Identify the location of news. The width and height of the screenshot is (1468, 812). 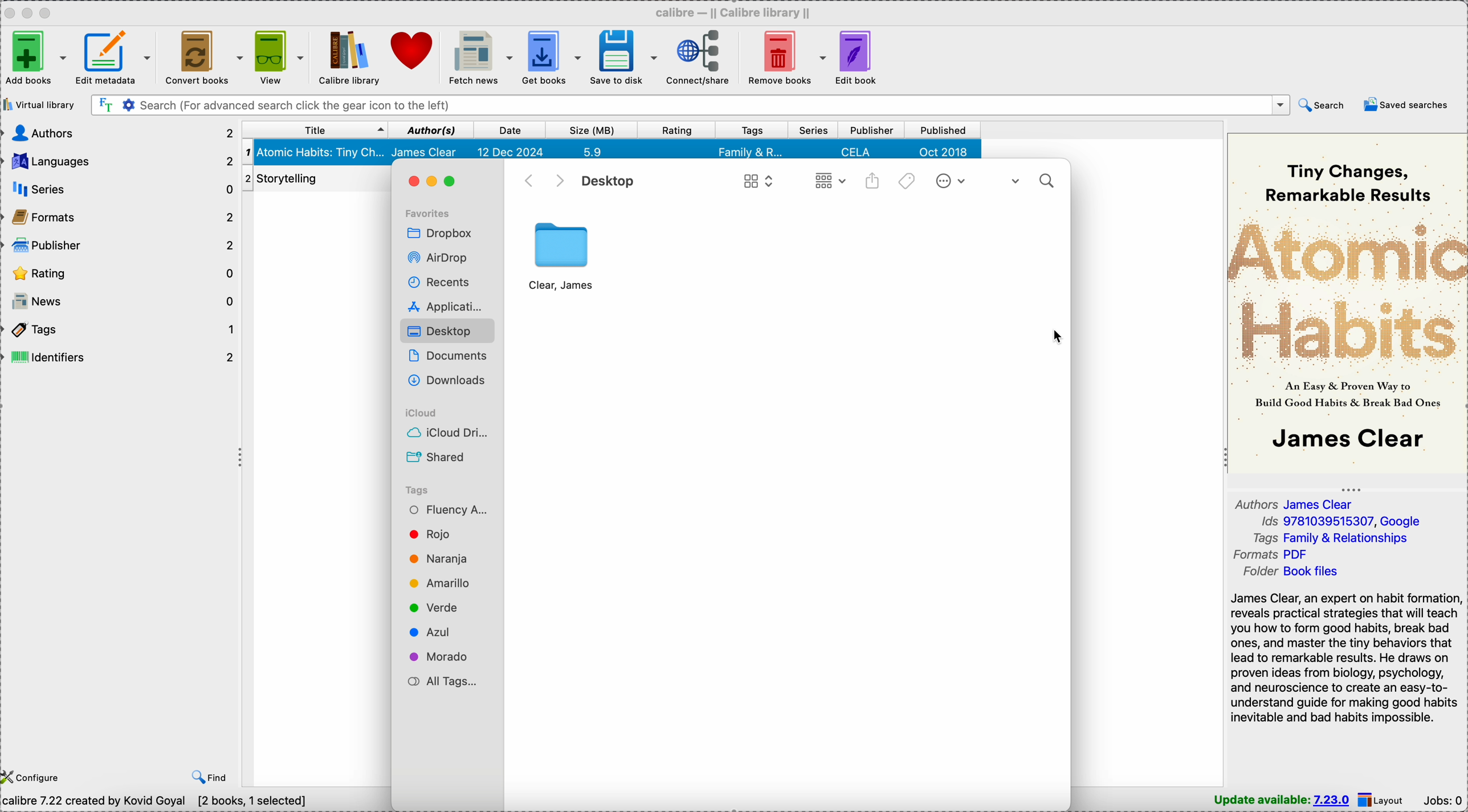
(121, 302).